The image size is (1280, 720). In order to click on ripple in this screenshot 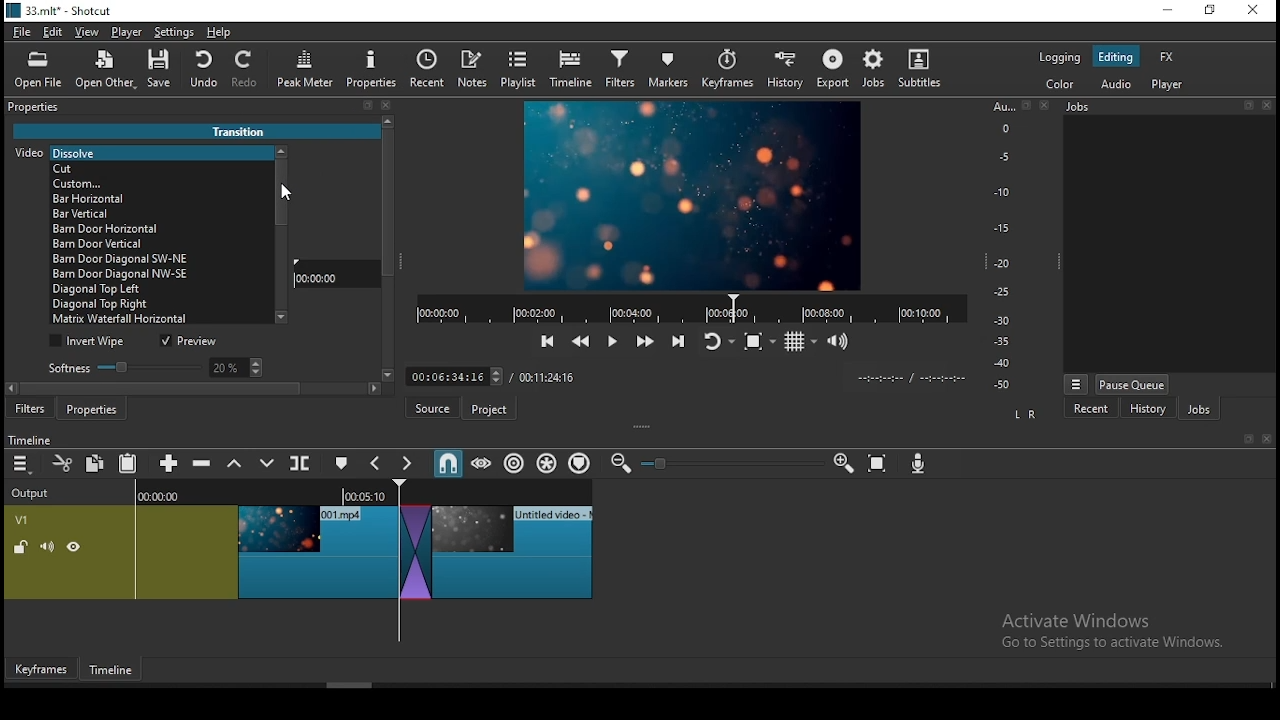, I will do `click(514, 464)`.